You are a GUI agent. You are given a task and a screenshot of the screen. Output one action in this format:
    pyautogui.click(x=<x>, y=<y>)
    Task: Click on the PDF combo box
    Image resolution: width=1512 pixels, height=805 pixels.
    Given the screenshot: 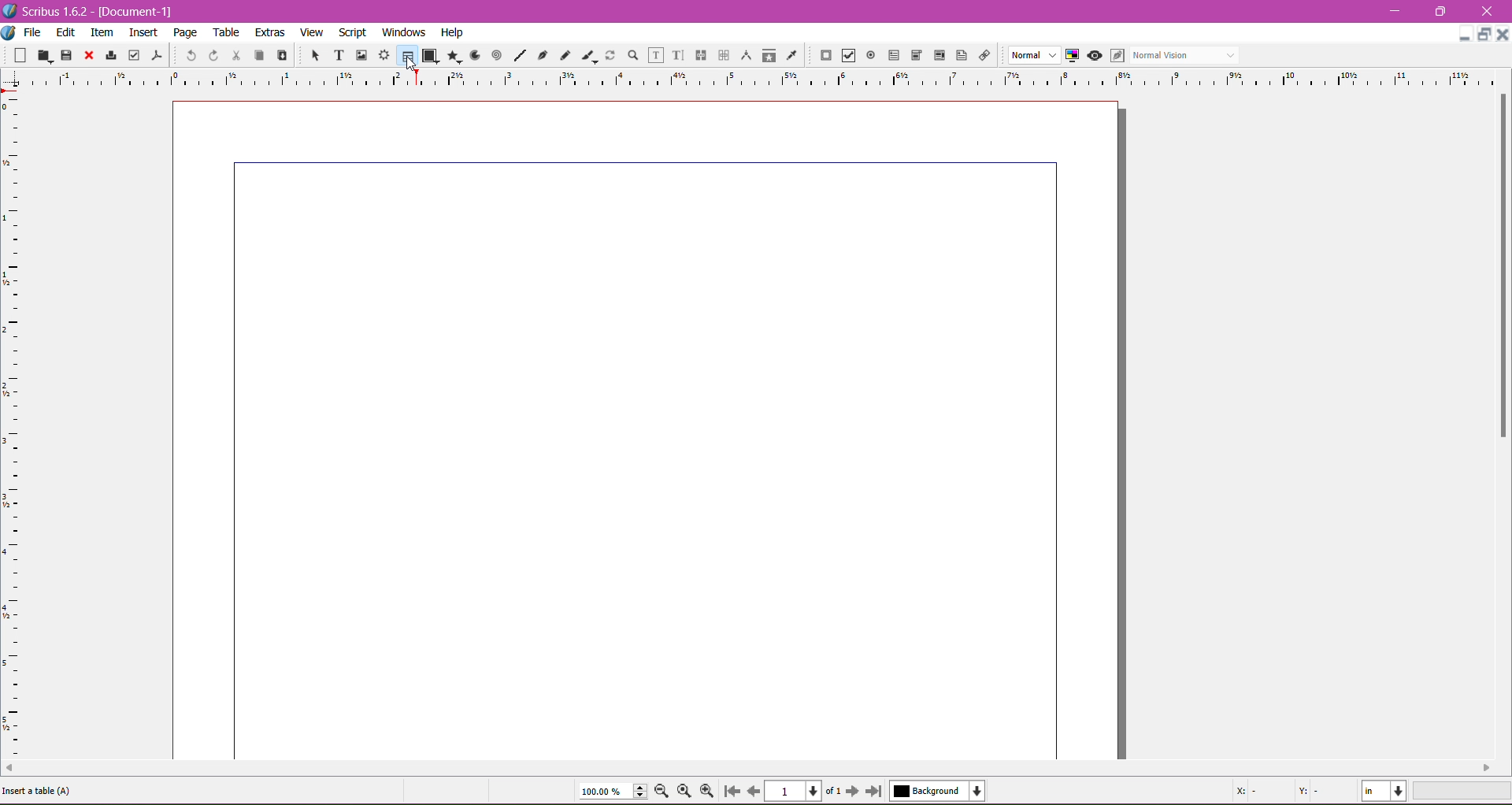 What is the action you would take?
    pyautogui.click(x=913, y=56)
    